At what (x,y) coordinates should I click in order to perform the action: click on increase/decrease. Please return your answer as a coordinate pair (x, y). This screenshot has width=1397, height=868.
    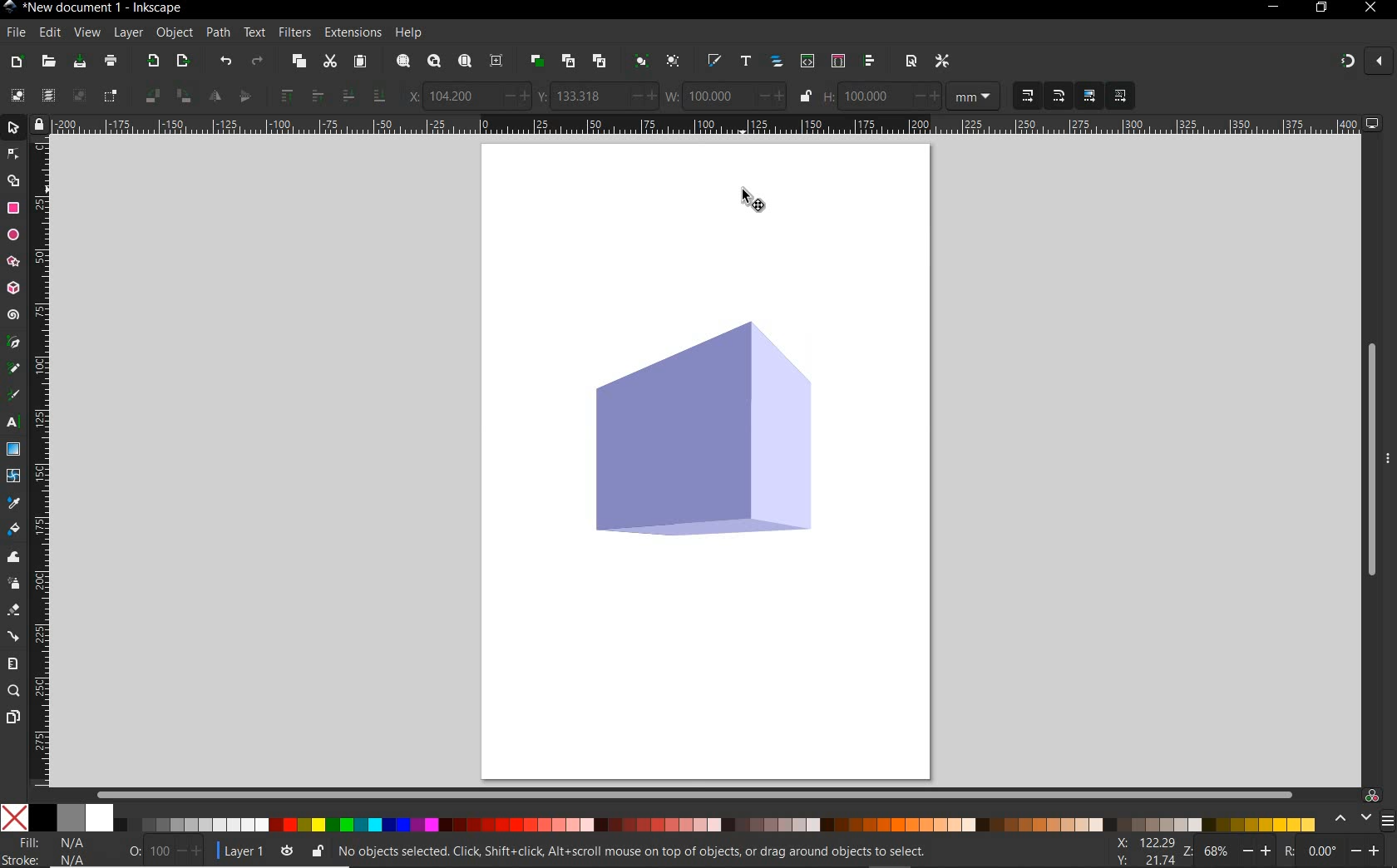
    Looking at the image, I should click on (926, 96).